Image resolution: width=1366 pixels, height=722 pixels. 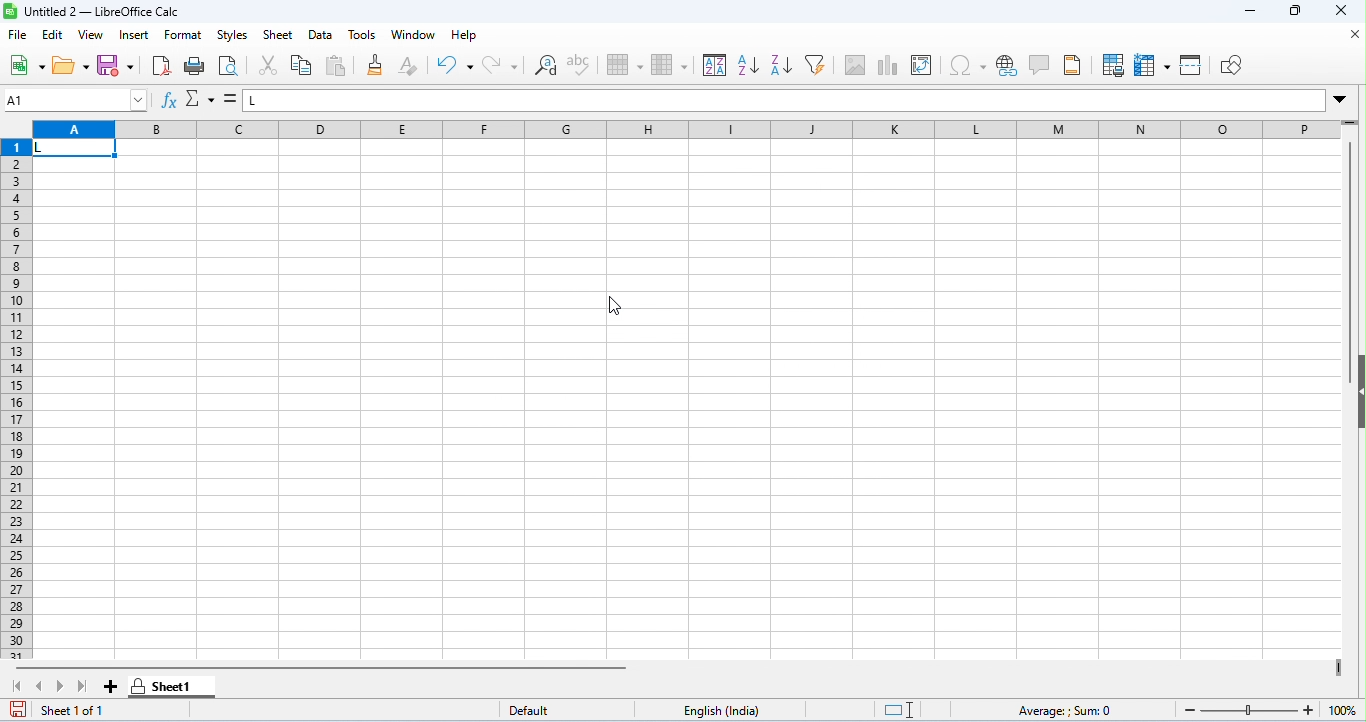 What do you see at coordinates (414, 65) in the screenshot?
I see `clear direct formatting ` at bounding box center [414, 65].